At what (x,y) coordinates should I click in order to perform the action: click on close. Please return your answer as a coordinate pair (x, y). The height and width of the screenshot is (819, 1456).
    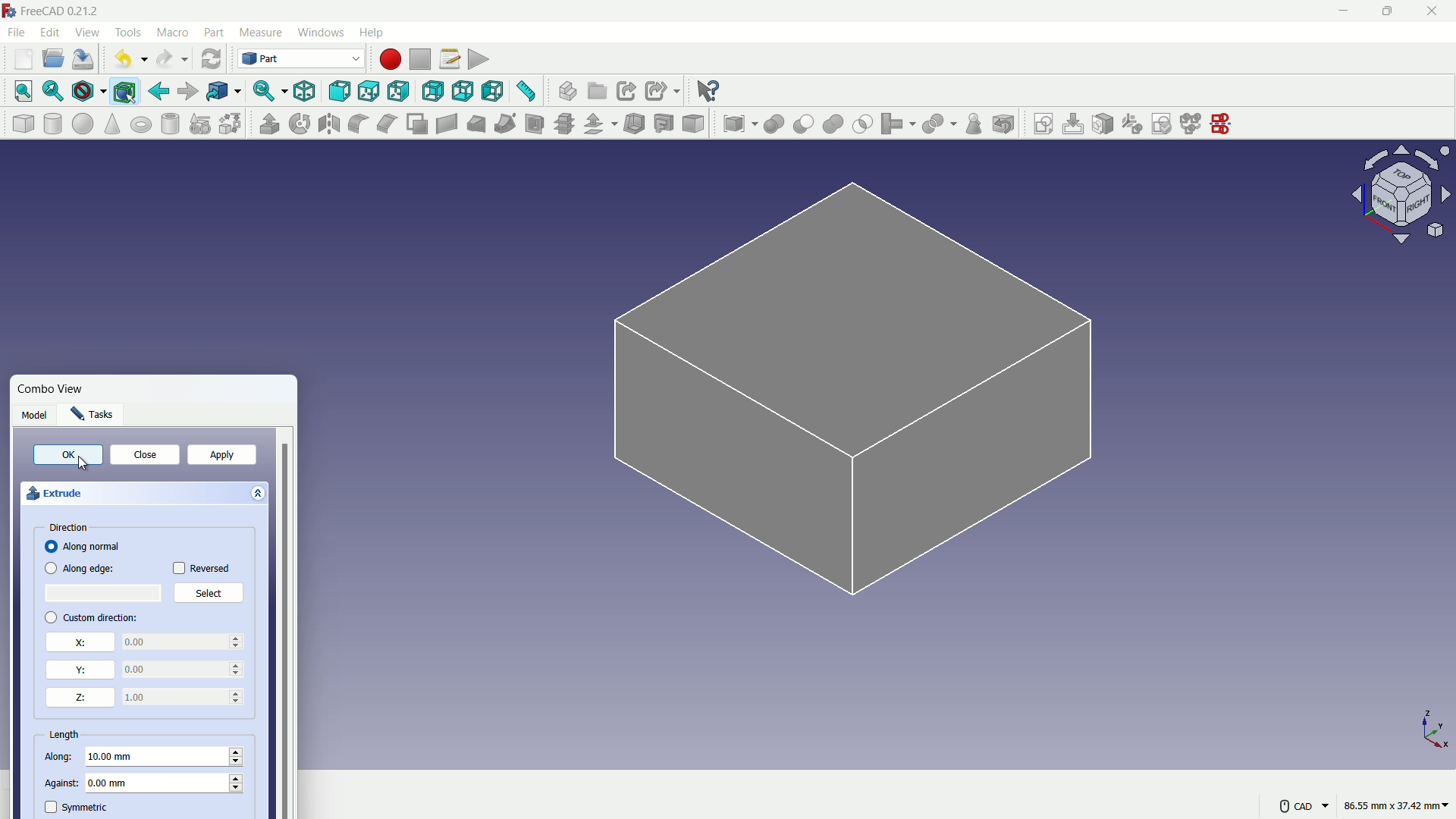
    Looking at the image, I should click on (1434, 13).